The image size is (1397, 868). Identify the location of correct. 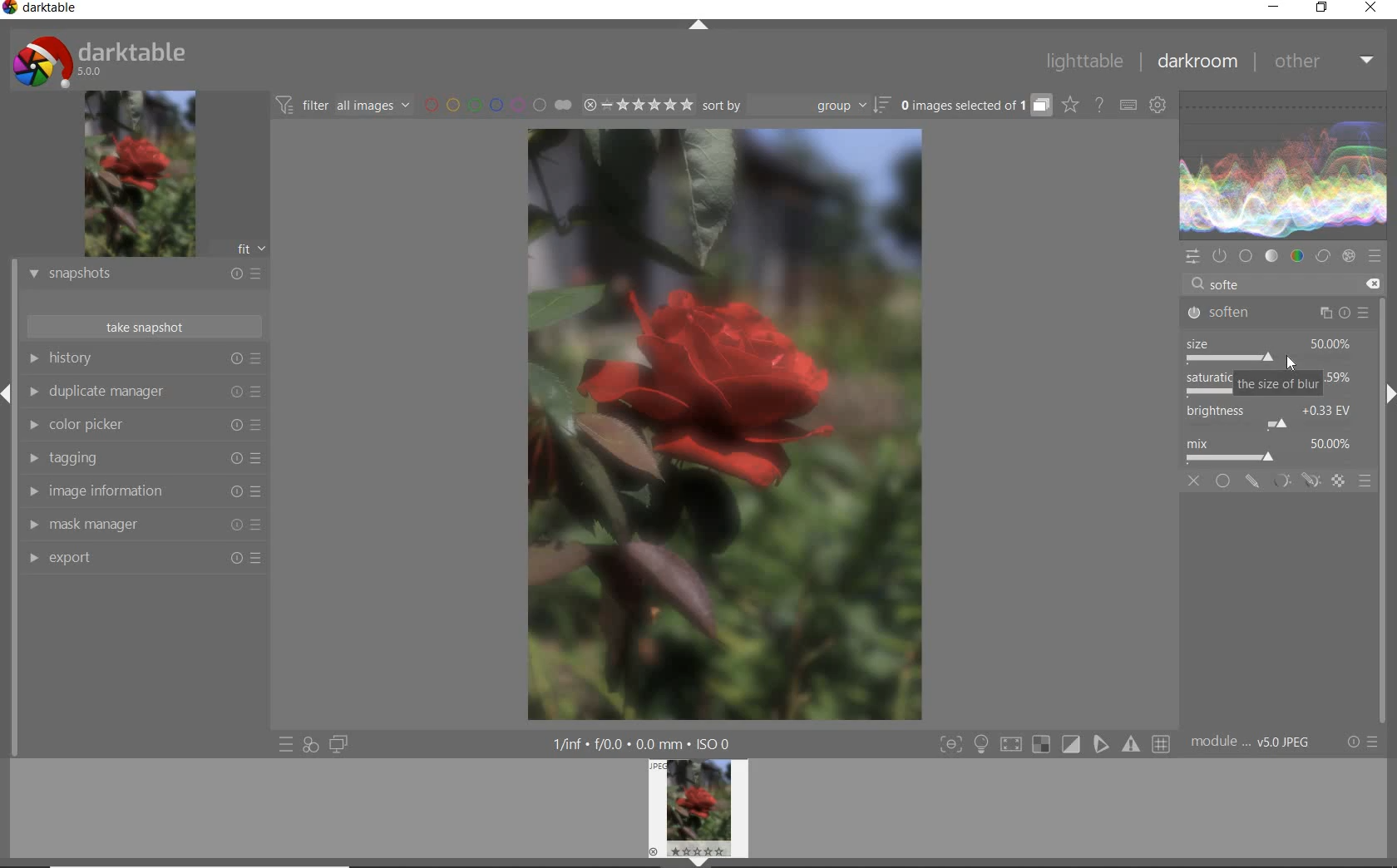
(1322, 257).